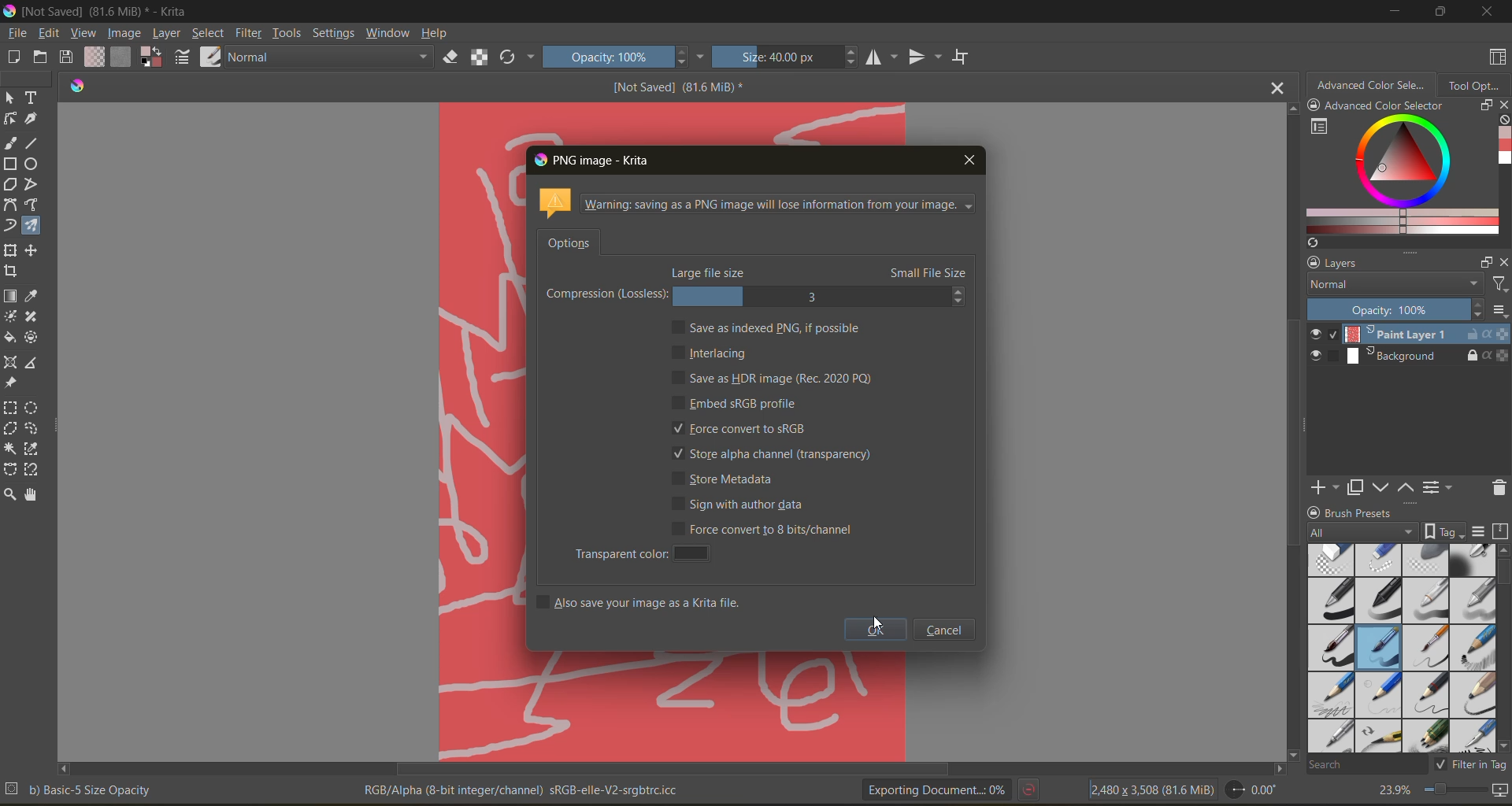 This screenshot has height=806, width=1512. What do you see at coordinates (451, 56) in the screenshot?
I see `set eraser mode` at bounding box center [451, 56].